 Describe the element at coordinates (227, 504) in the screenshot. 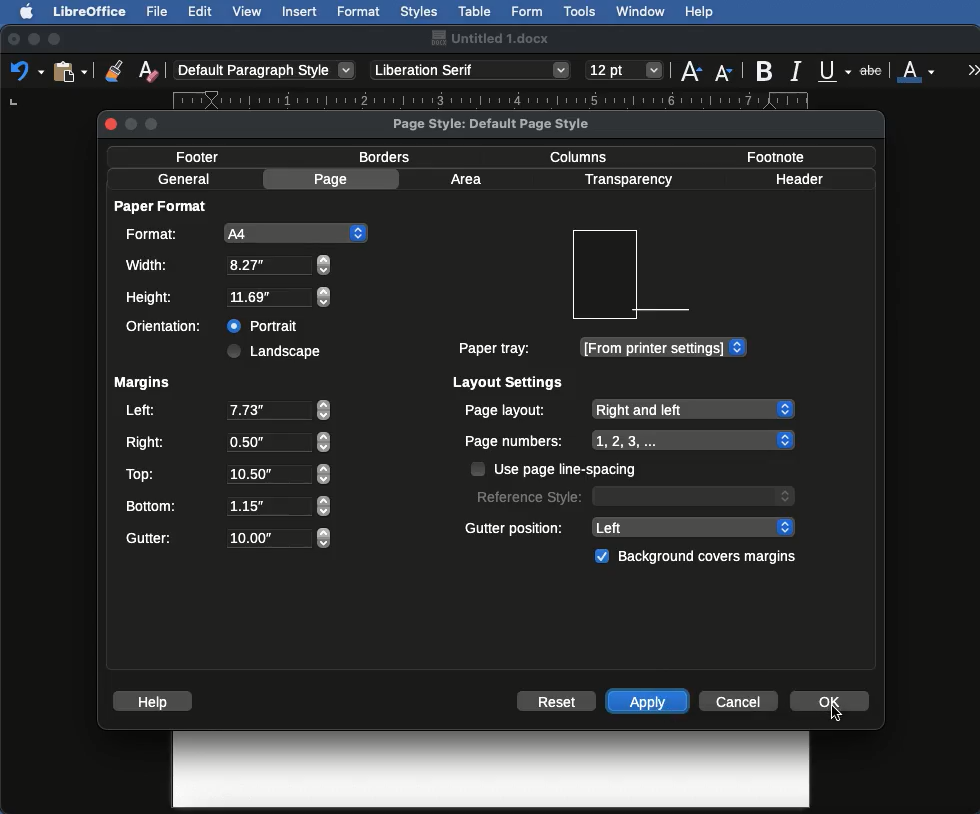

I see `Bottom` at that location.